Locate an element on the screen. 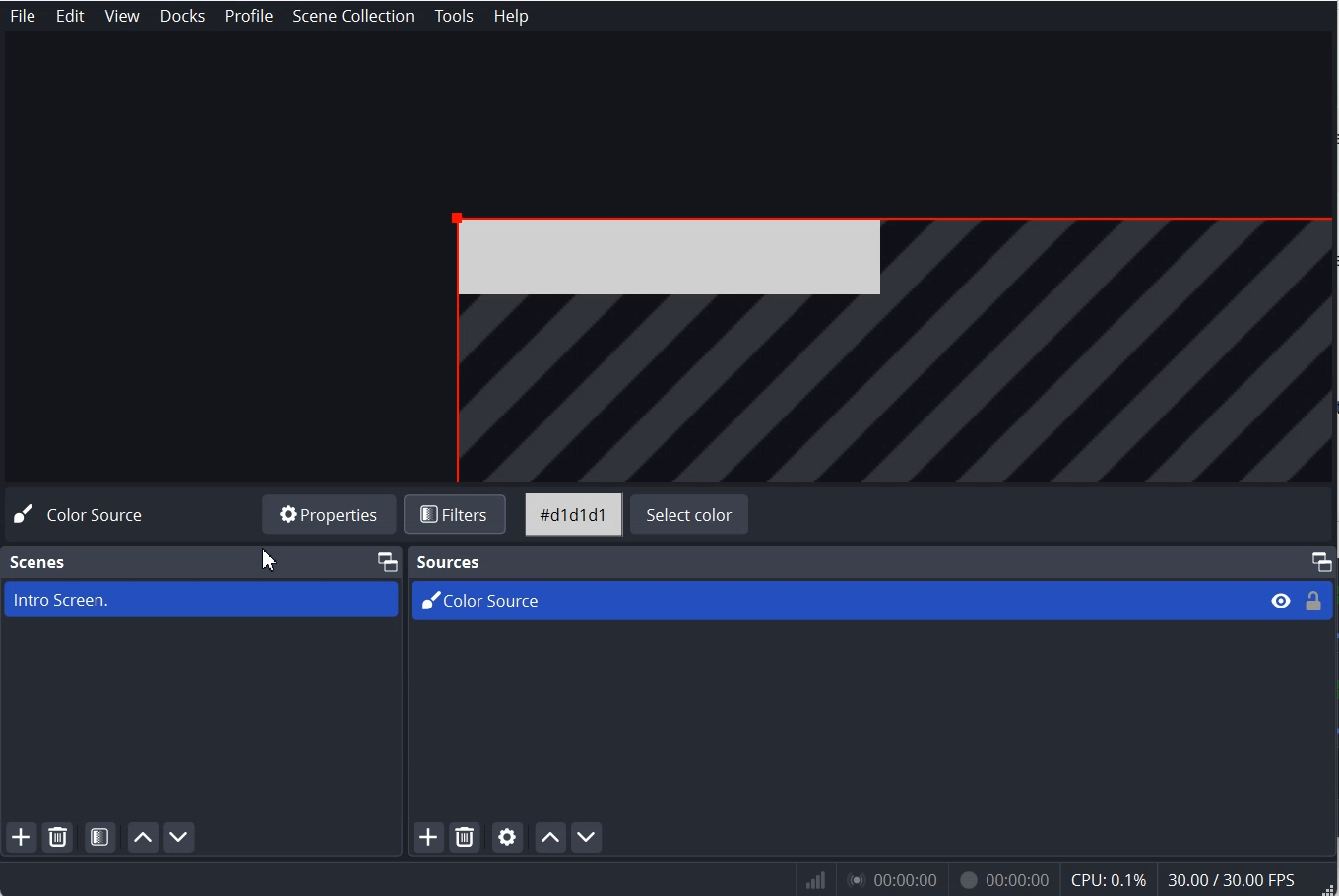 This screenshot has width=1339, height=896. File is located at coordinates (22, 16).